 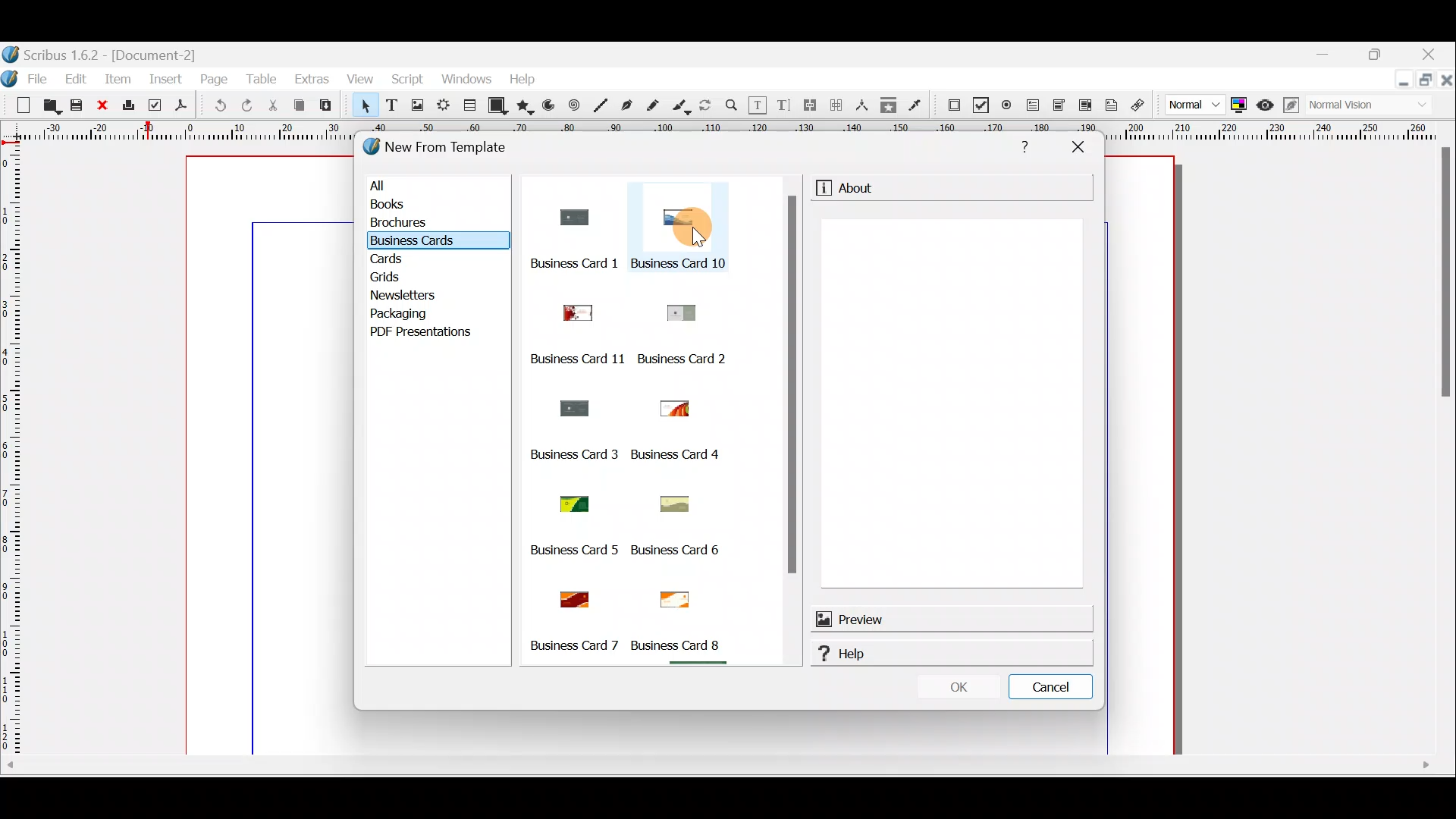 What do you see at coordinates (359, 80) in the screenshot?
I see `View` at bounding box center [359, 80].